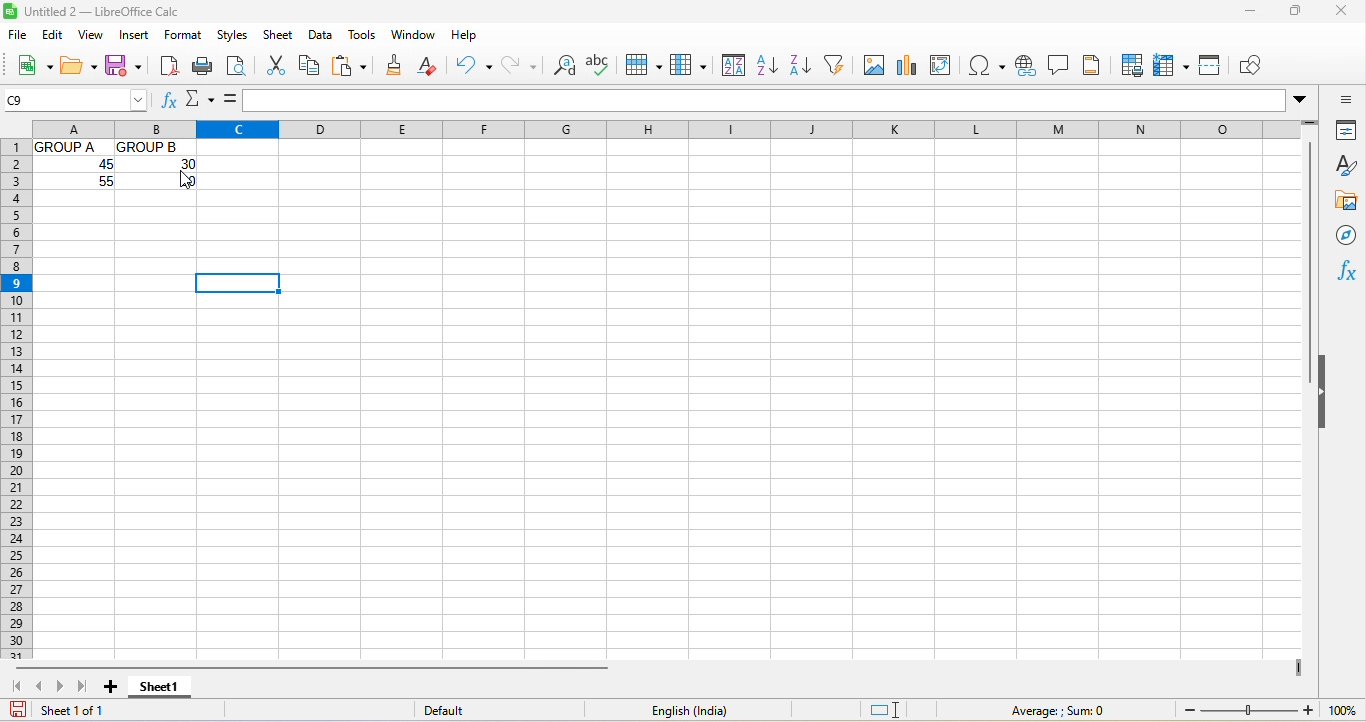  What do you see at coordinates (93, 713) in the screenshot?
I see `sheet 1 of 1` at bounding box center [93, 713].